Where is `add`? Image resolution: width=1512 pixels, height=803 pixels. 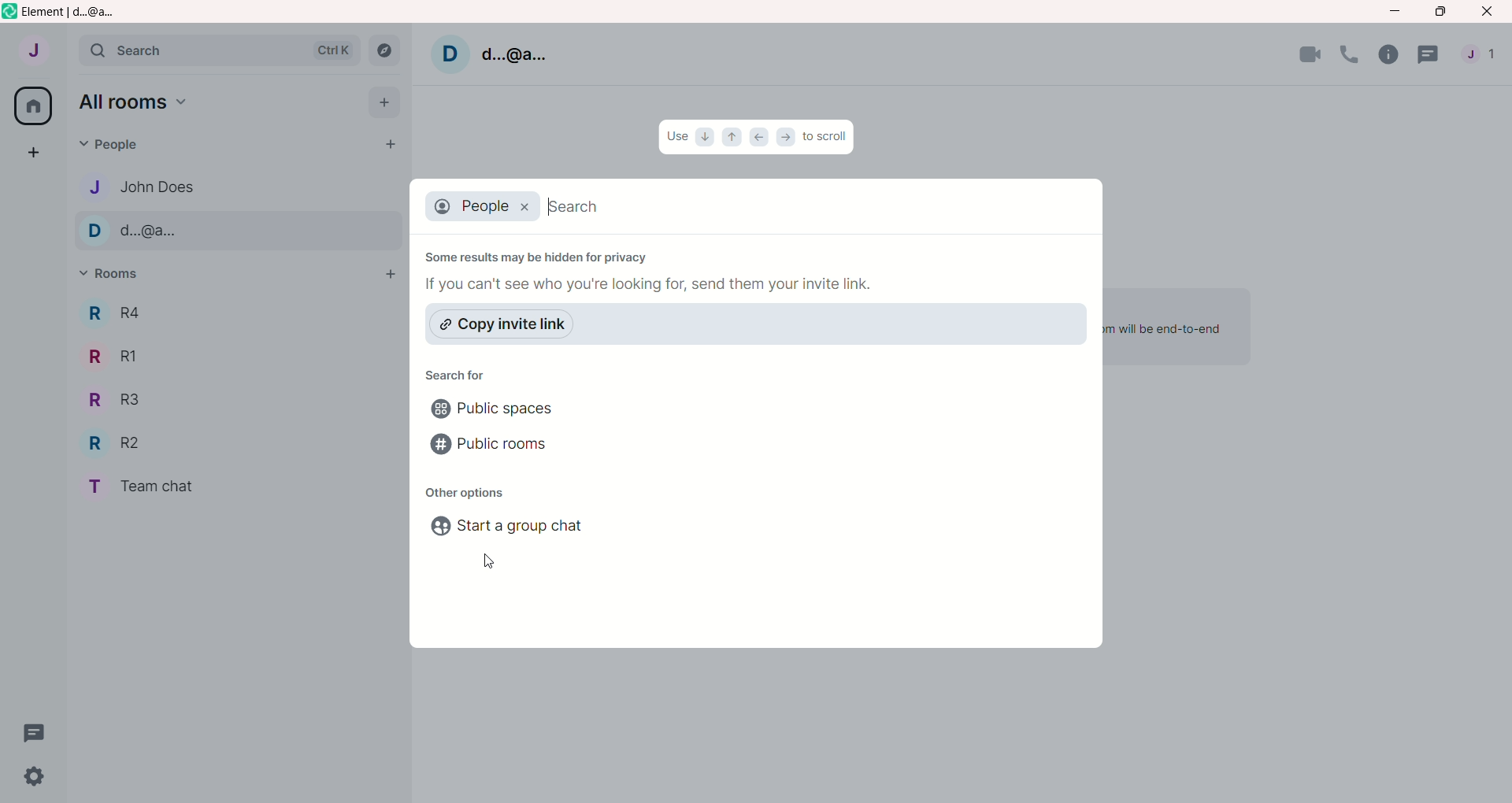
add is located at coordinates (385, 102).